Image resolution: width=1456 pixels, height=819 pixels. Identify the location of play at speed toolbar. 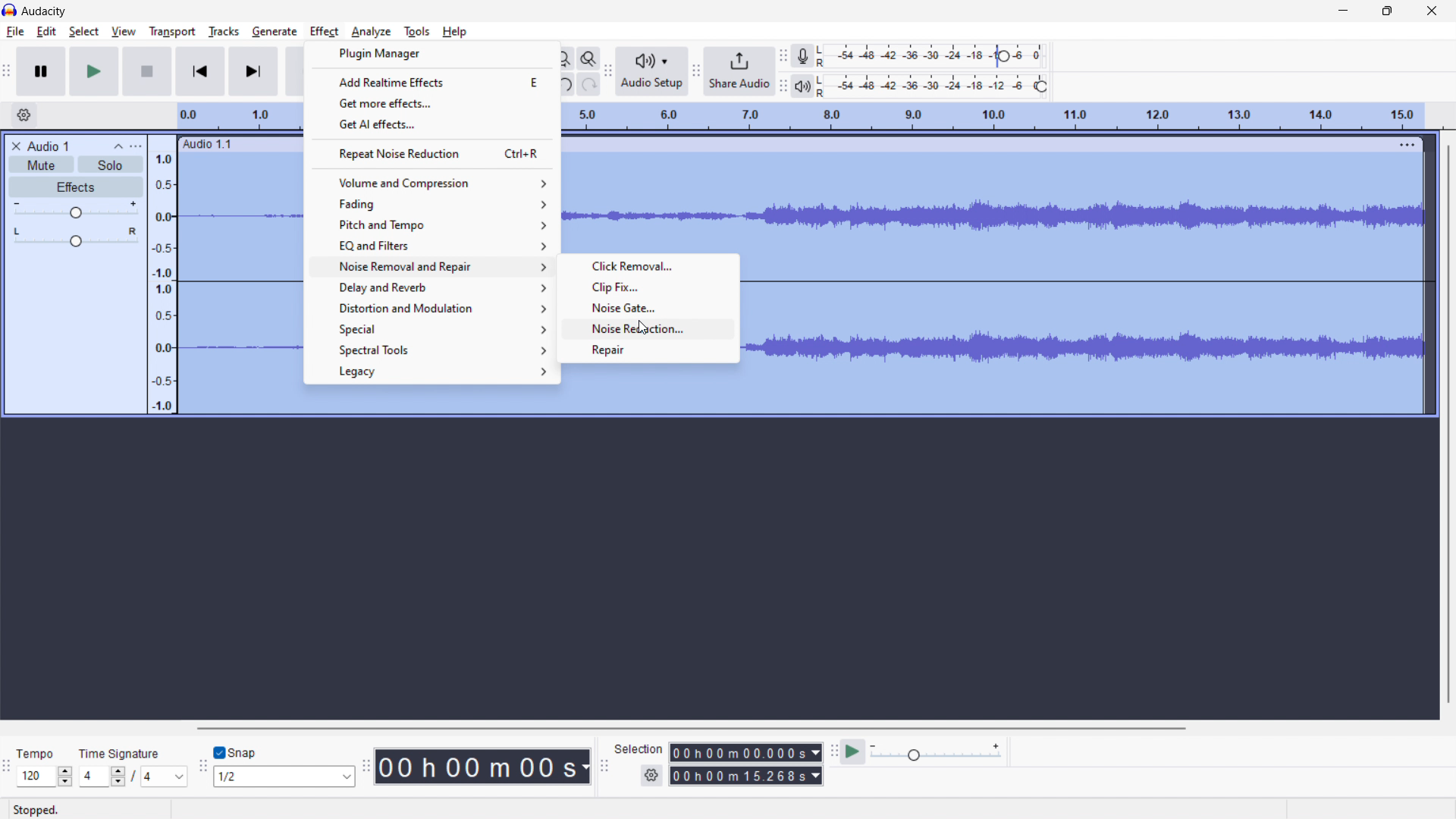
(833, 751).